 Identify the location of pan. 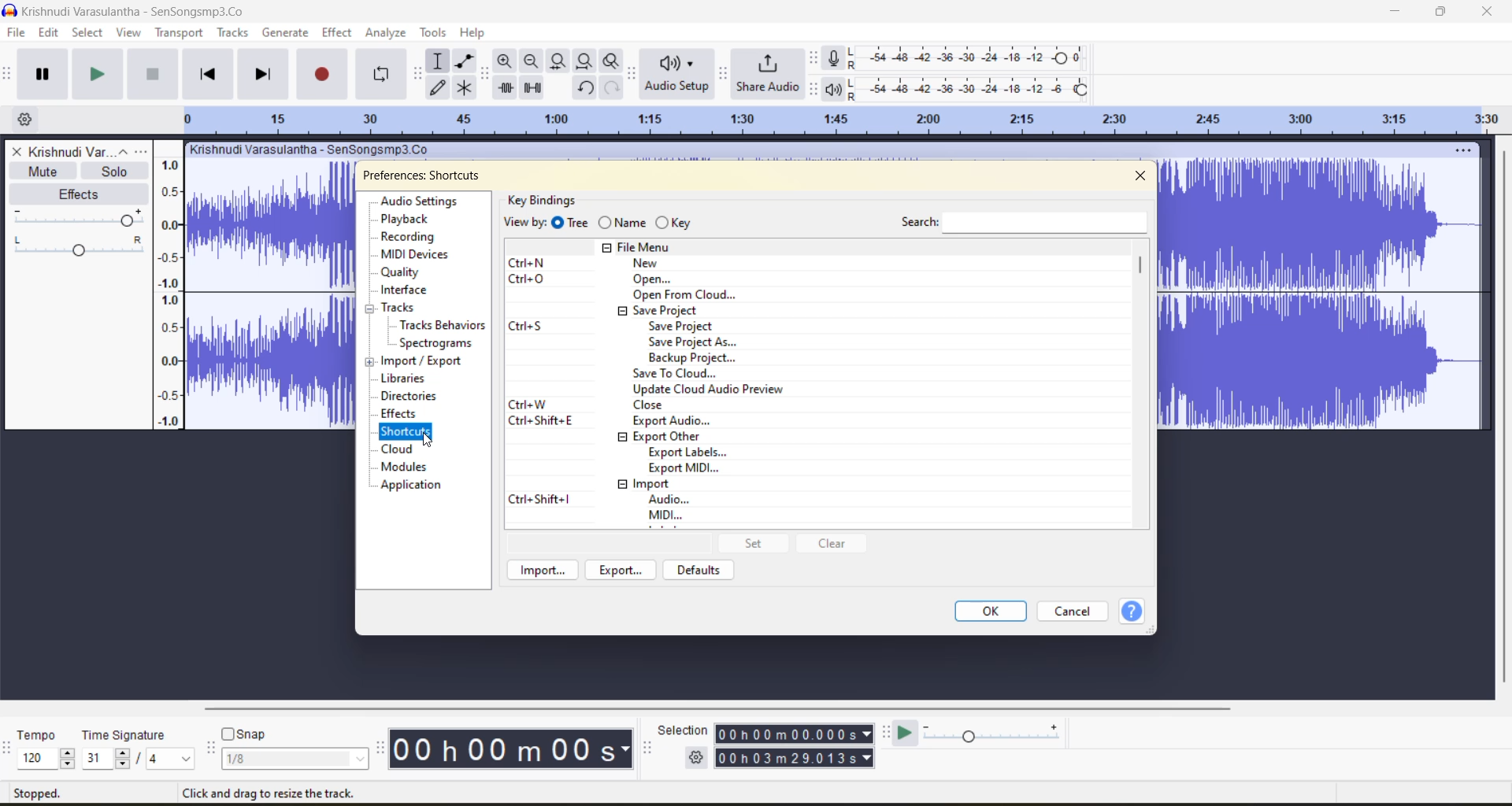
(80, 218).